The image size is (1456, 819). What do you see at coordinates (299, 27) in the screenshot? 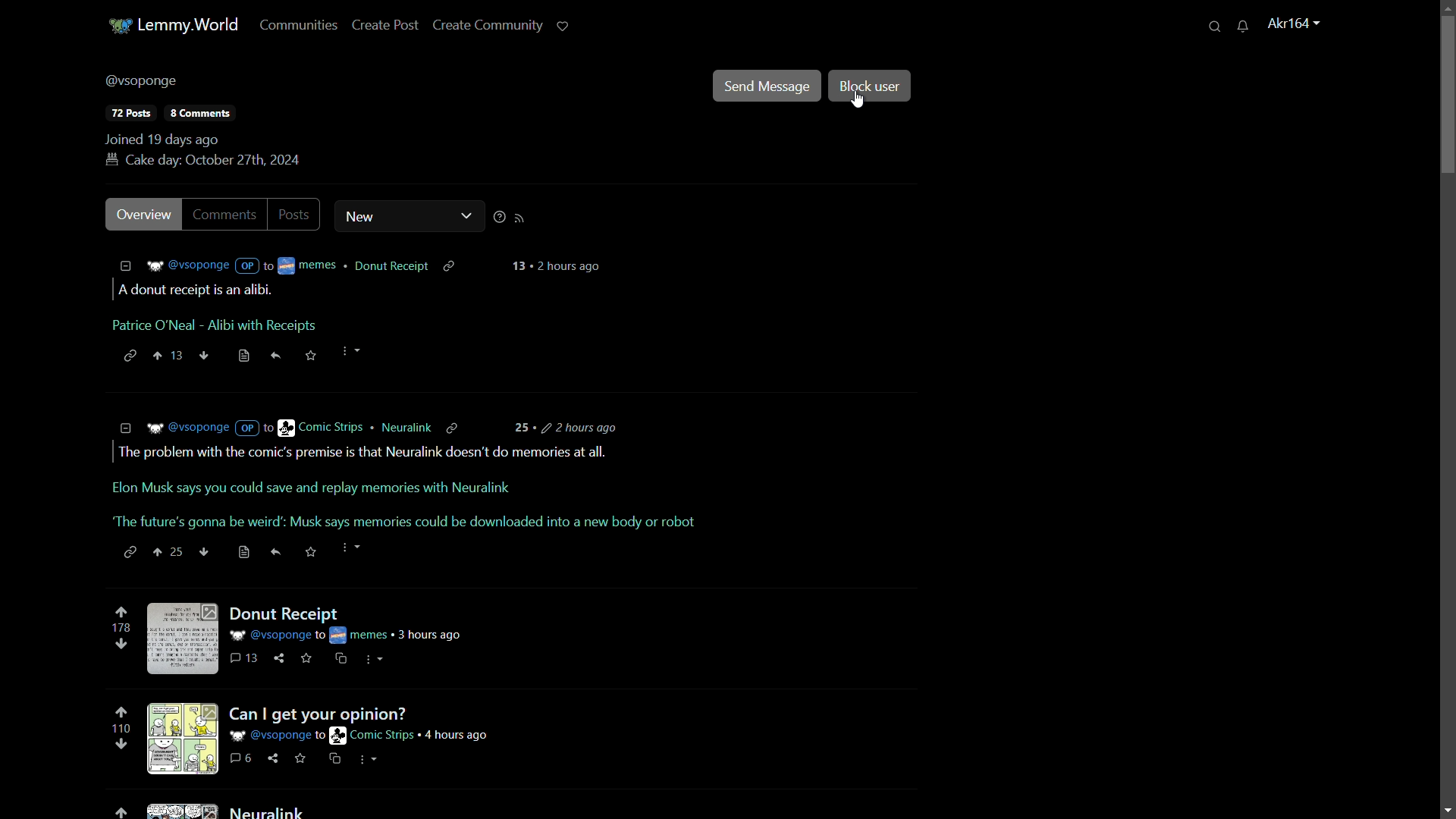
I see `communities` at bounding box center [299, 27].